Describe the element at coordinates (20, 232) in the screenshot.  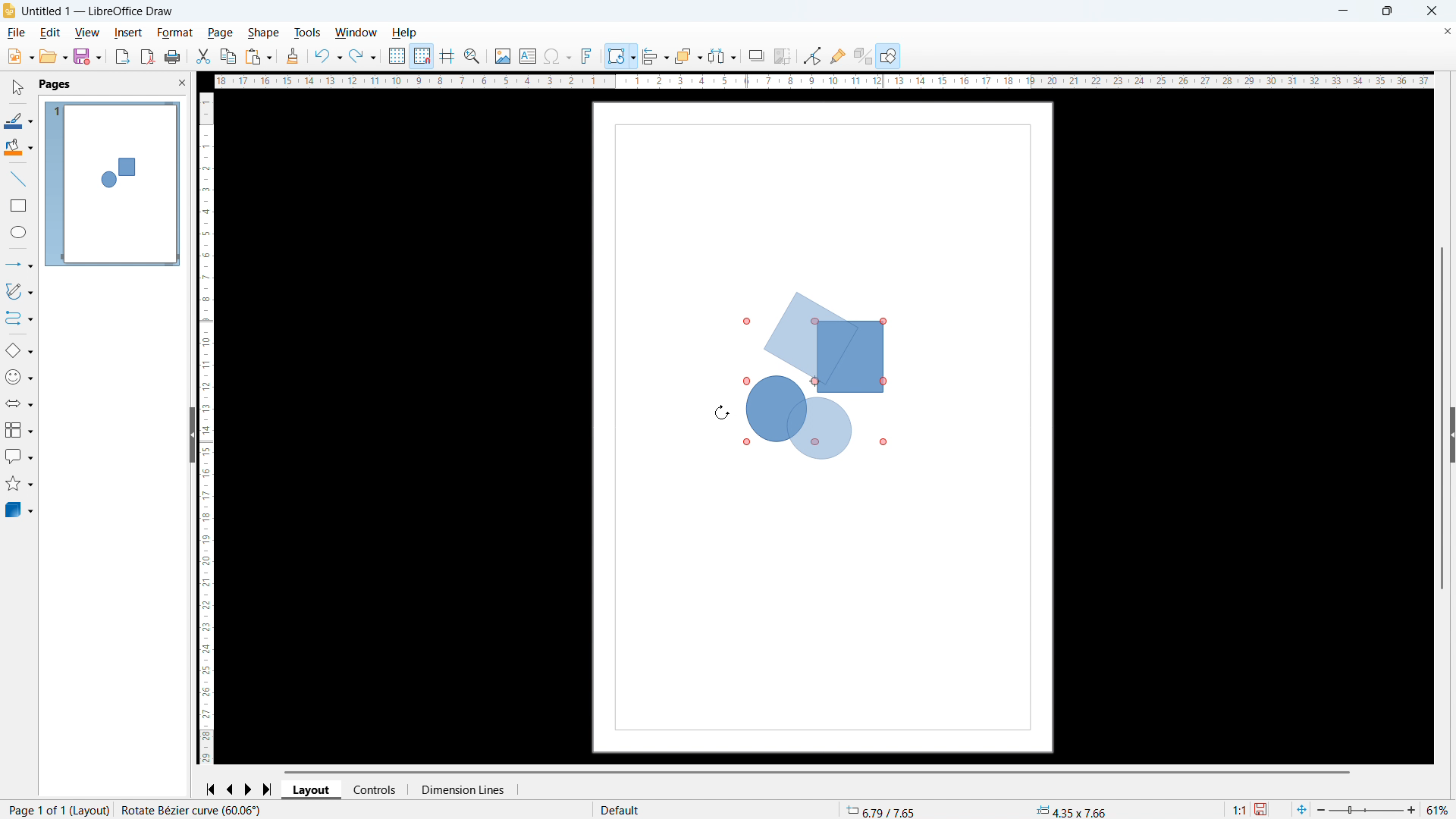
I see `Ellipse ` at that location.